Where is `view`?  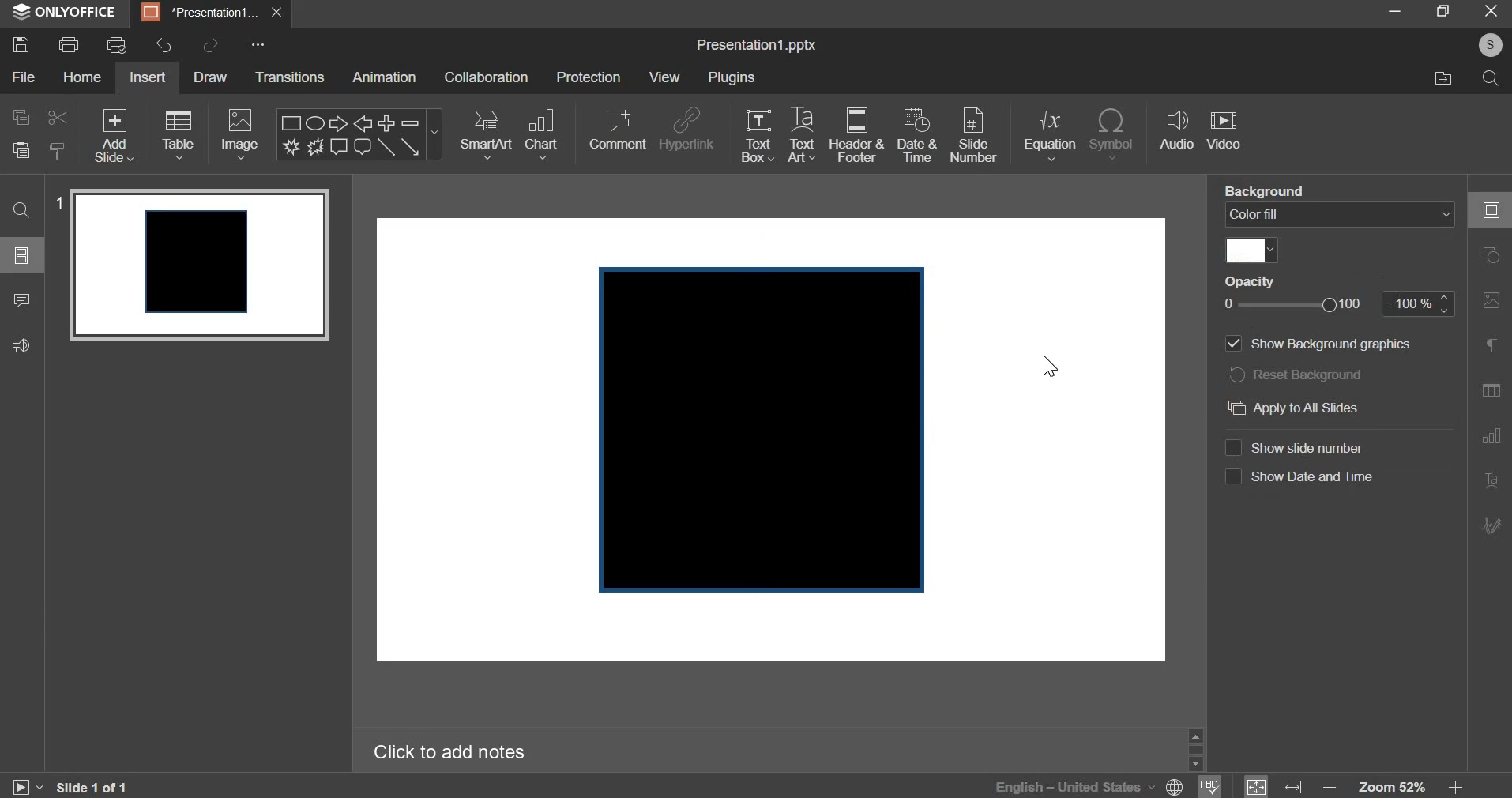
view is located at coordinates (664, 77).